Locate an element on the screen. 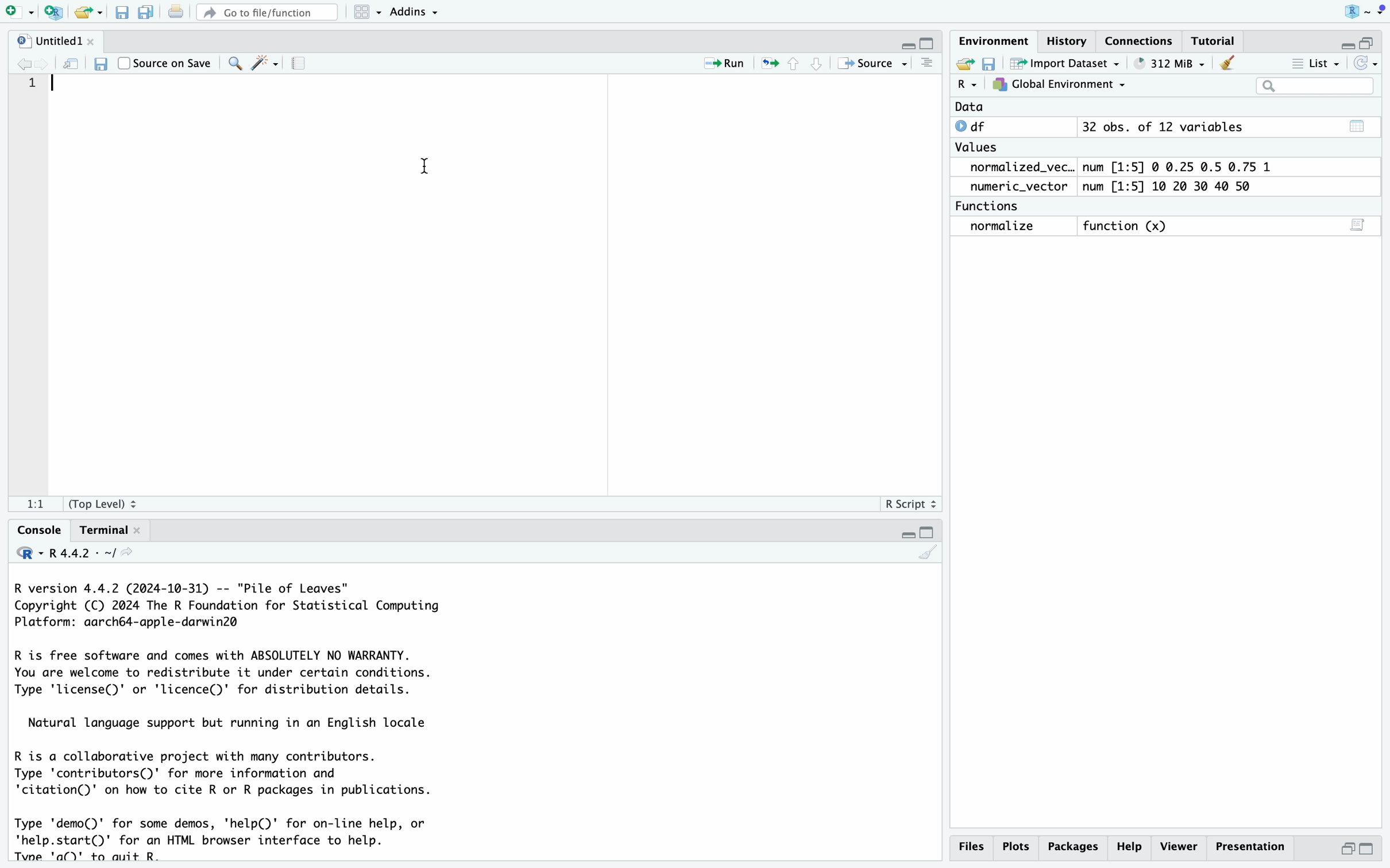 The width and height of the screenshot is (1390, 868). untitled is located at coordinates (65, 38).